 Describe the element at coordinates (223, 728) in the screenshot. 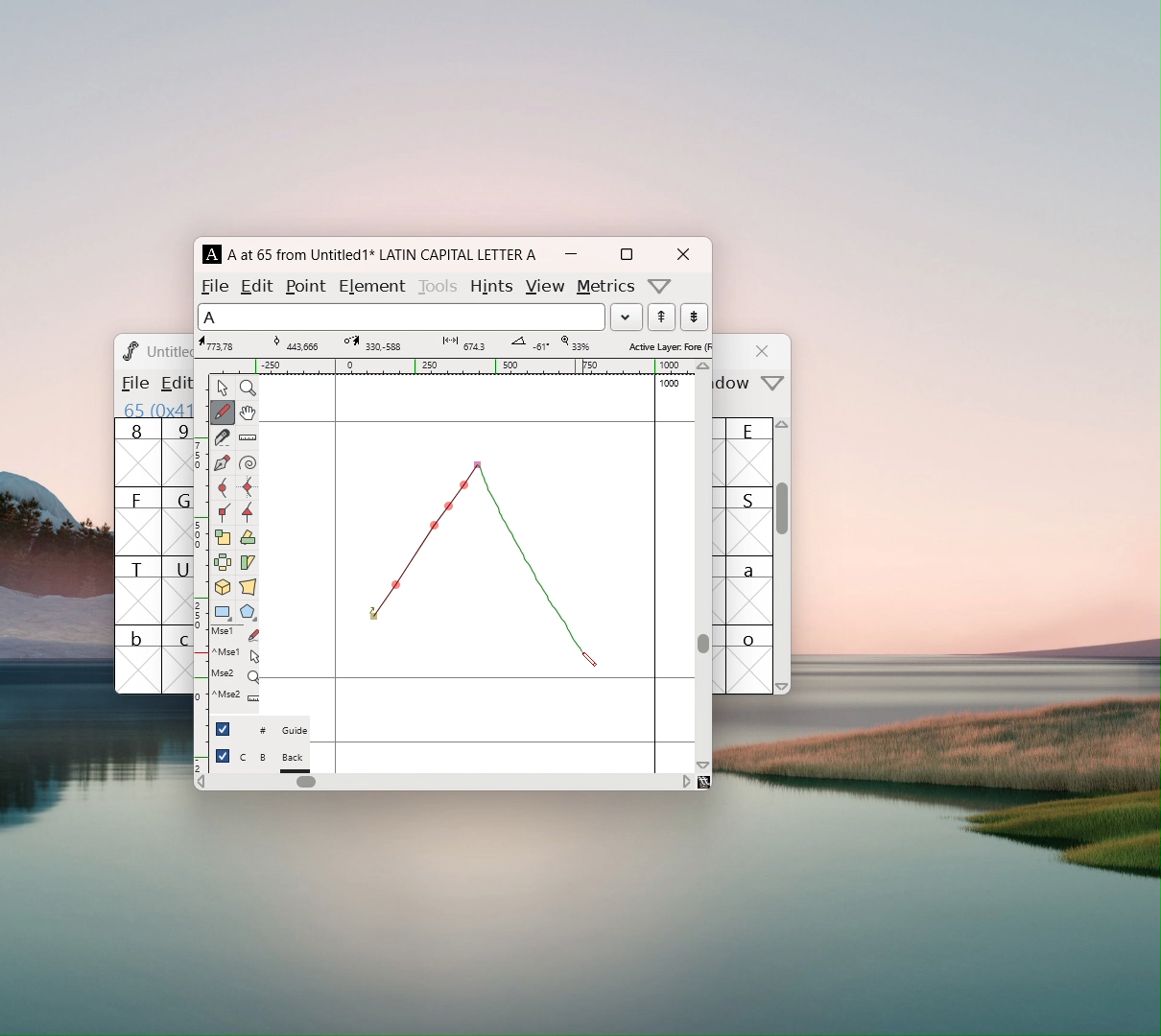

I see `checkbox` at that location.